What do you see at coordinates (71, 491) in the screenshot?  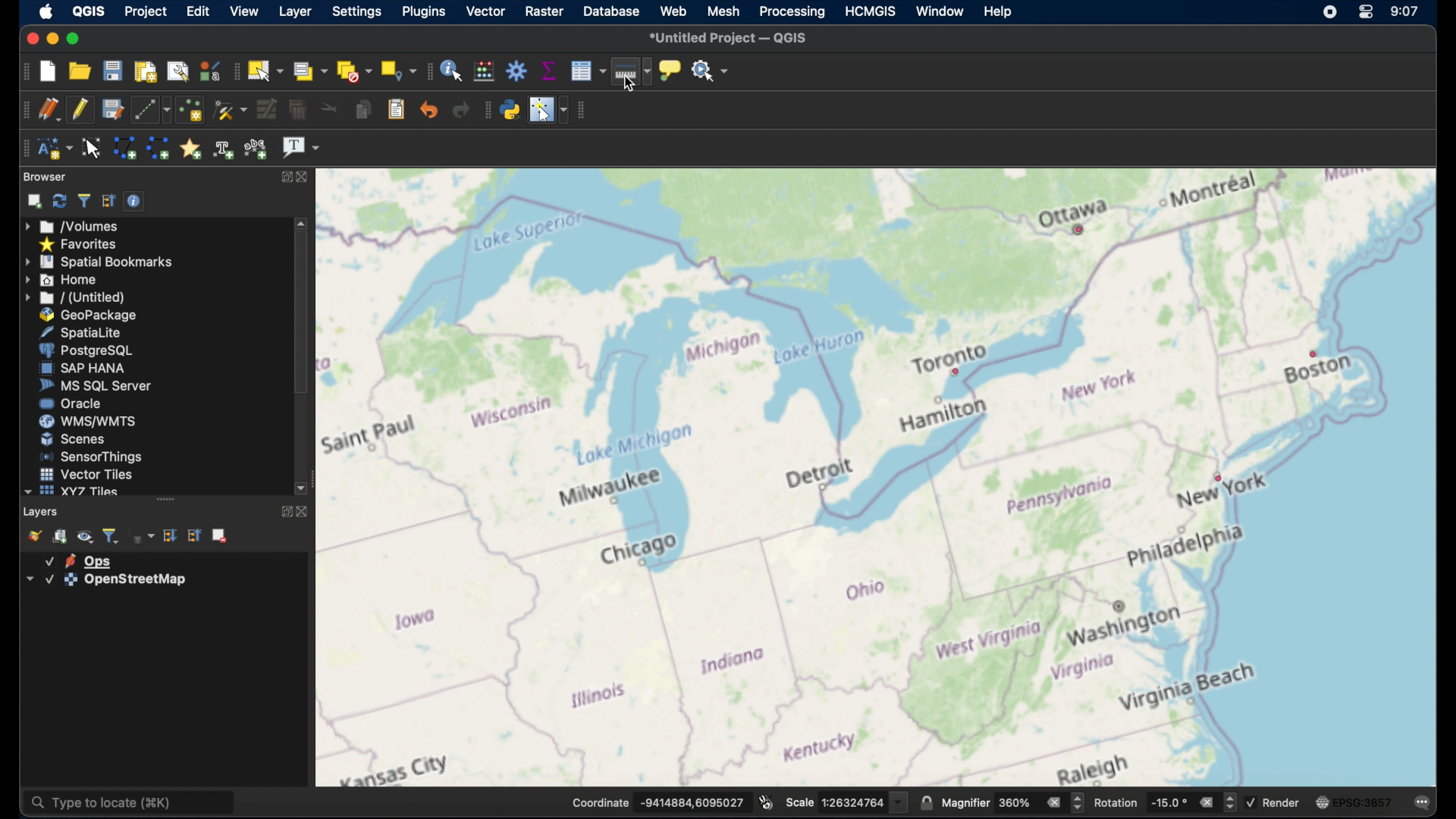 I see `xyzzy tiles` at bounding box center [71, 491].